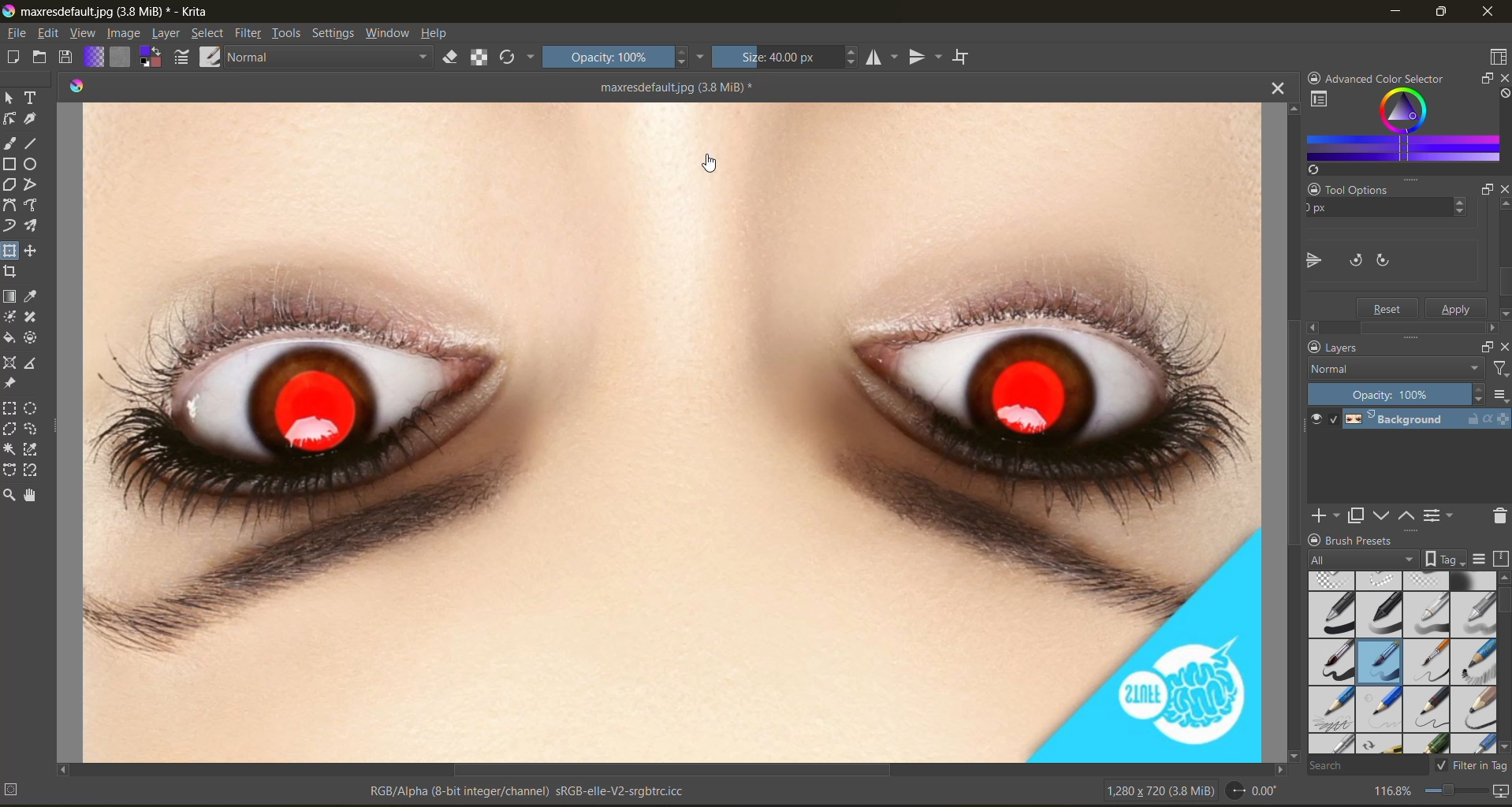  What do you see at coordinates (1503, 613) in the screenshot?
I see `vertical scroll bar` at bounding box center [1503, 613].